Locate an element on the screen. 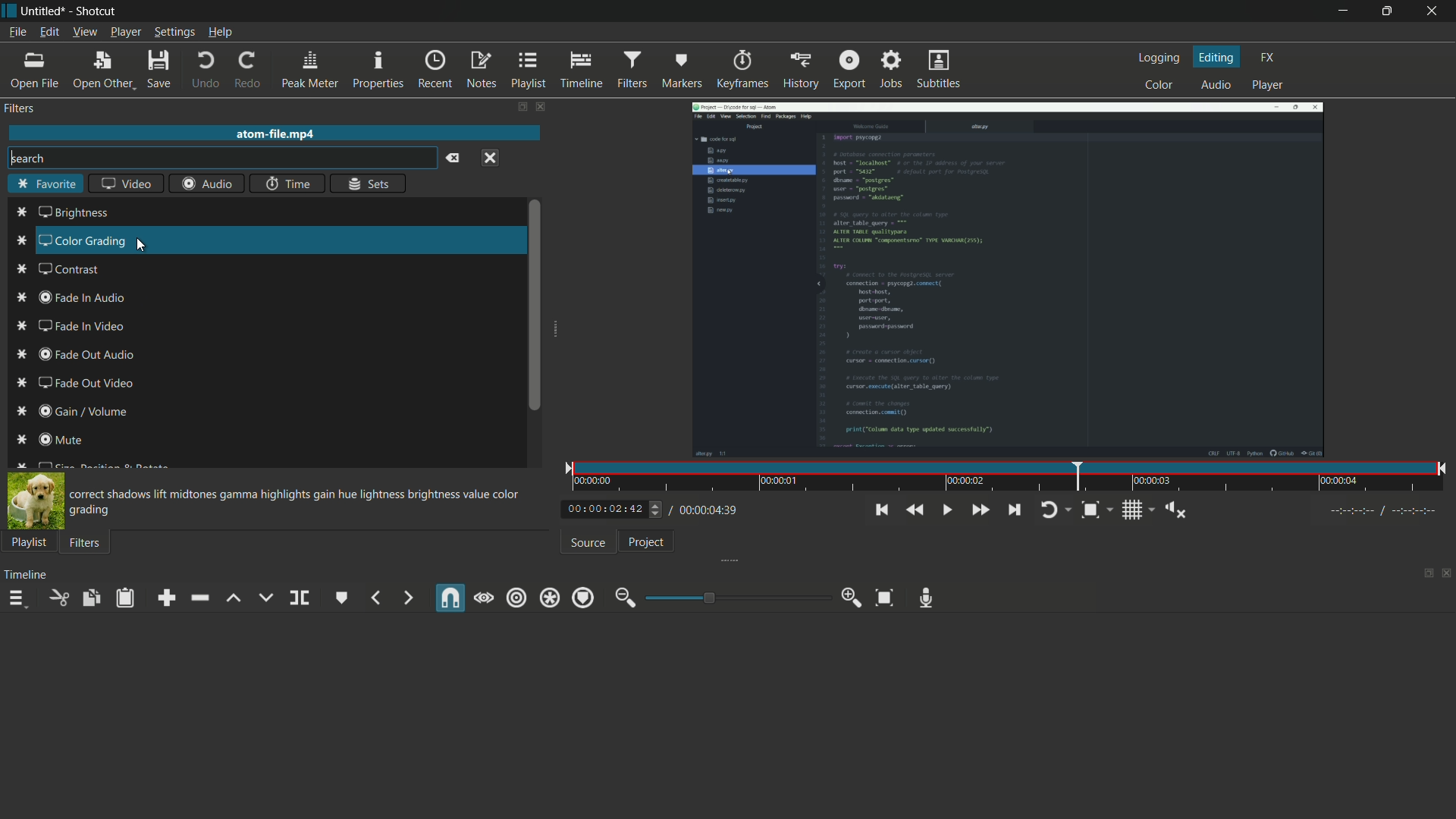  skip to the next point is located at coordinates (1012, 510).